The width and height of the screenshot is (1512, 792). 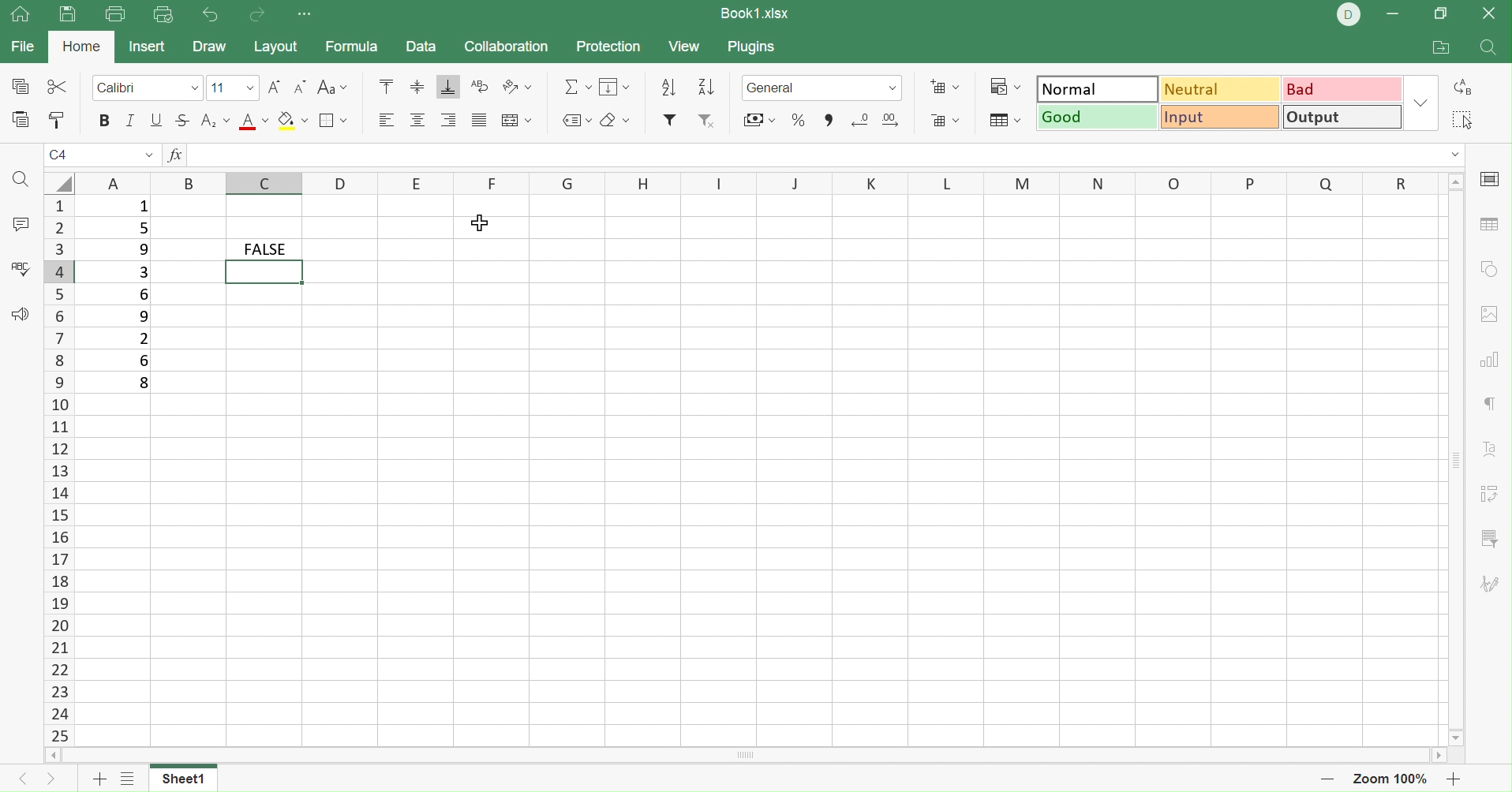 What do you see at coordinates (144, 209) in the screenshot?
I see `1` at bounding box center [144, 209].